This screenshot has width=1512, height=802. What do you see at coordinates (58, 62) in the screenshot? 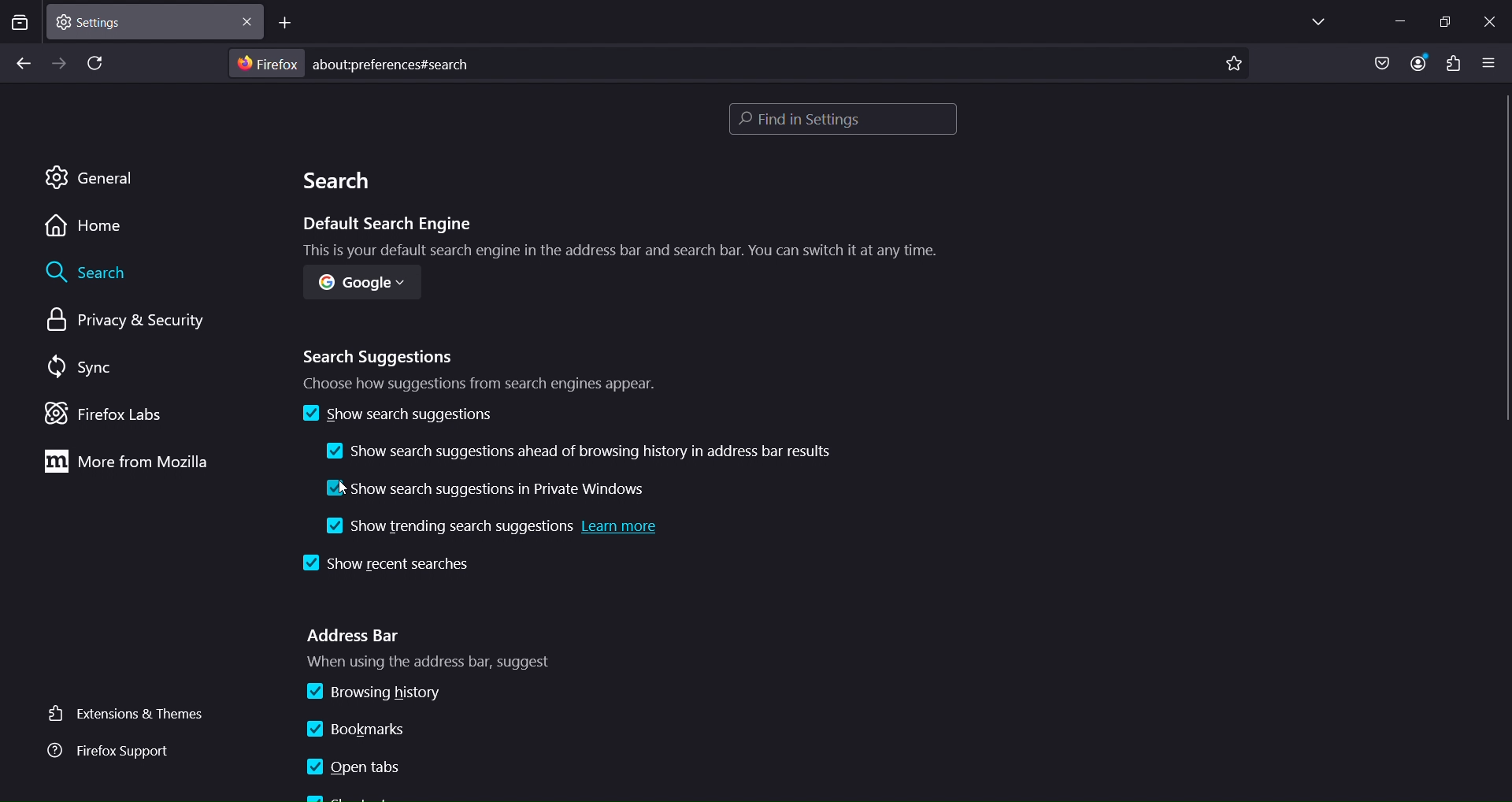
I see `go forwrd one page` at bounding box center [58, 62].